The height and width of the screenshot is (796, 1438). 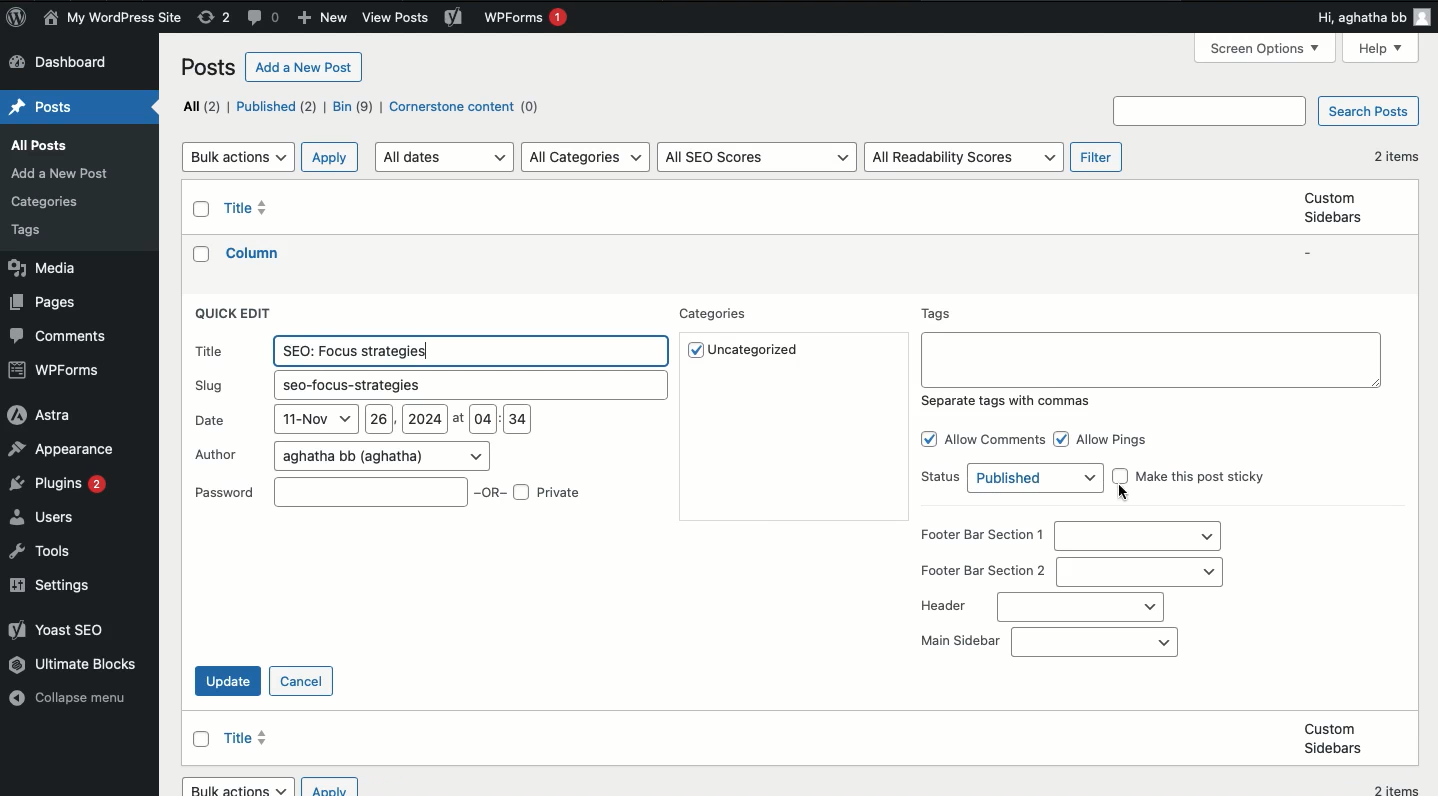 What do you see at coordinates (693, 351) in the screenshot?
I see `Checkbox` at bounding box center [693, 351].